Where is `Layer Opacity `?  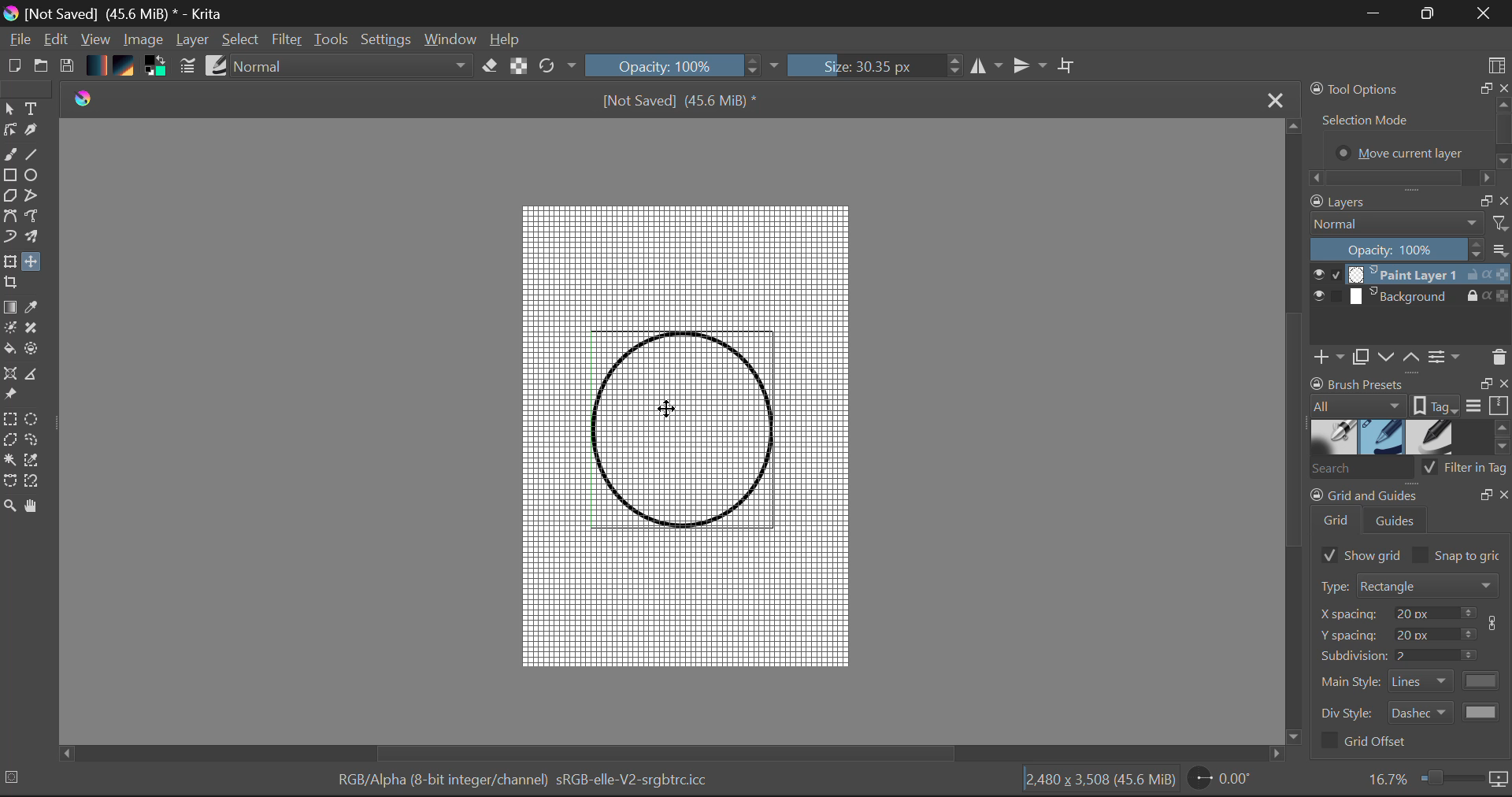
Layer Opacity  is located at coordinates (1410, 250).